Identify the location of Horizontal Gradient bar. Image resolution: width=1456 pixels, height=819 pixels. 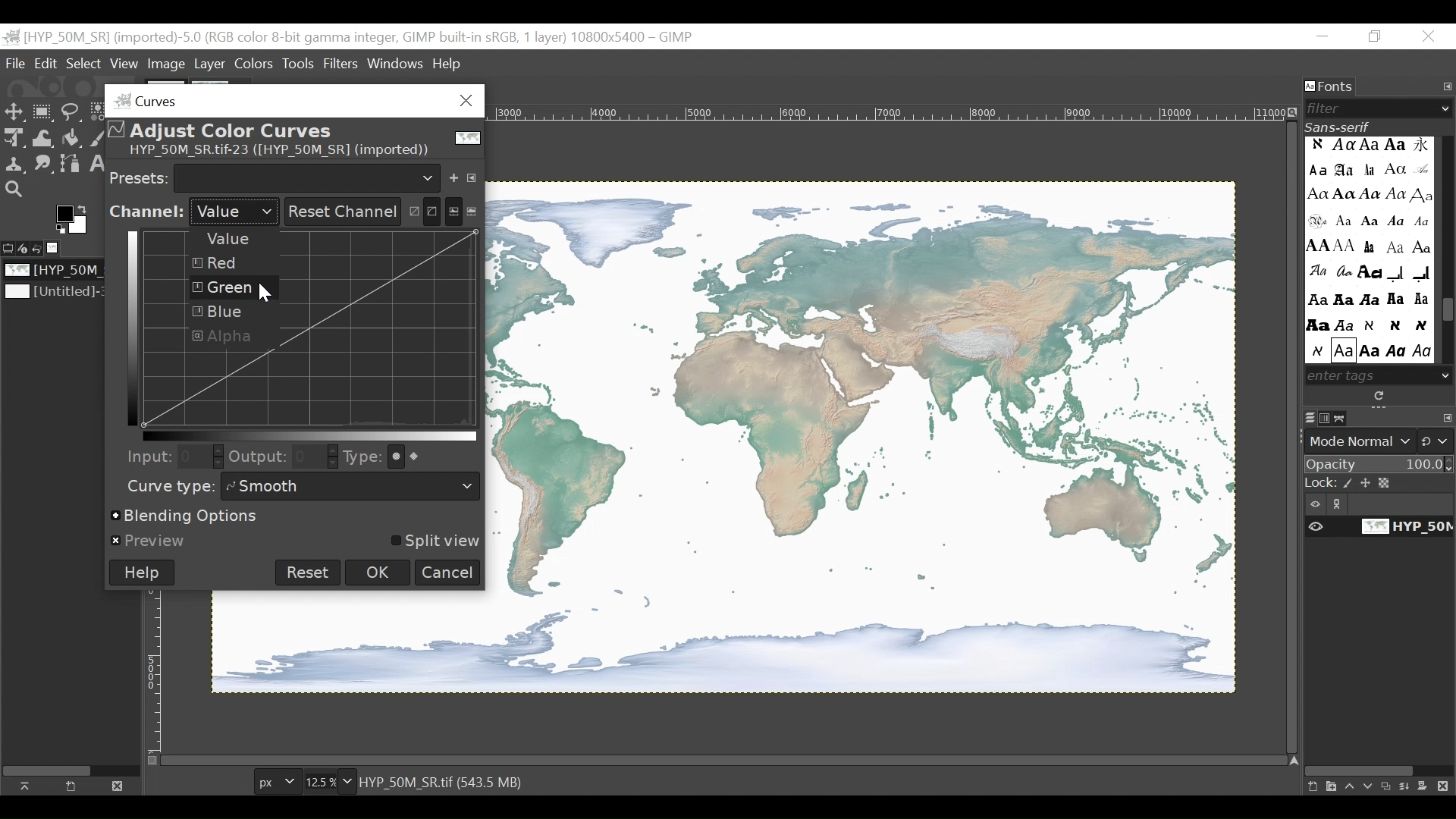
(310, 436).